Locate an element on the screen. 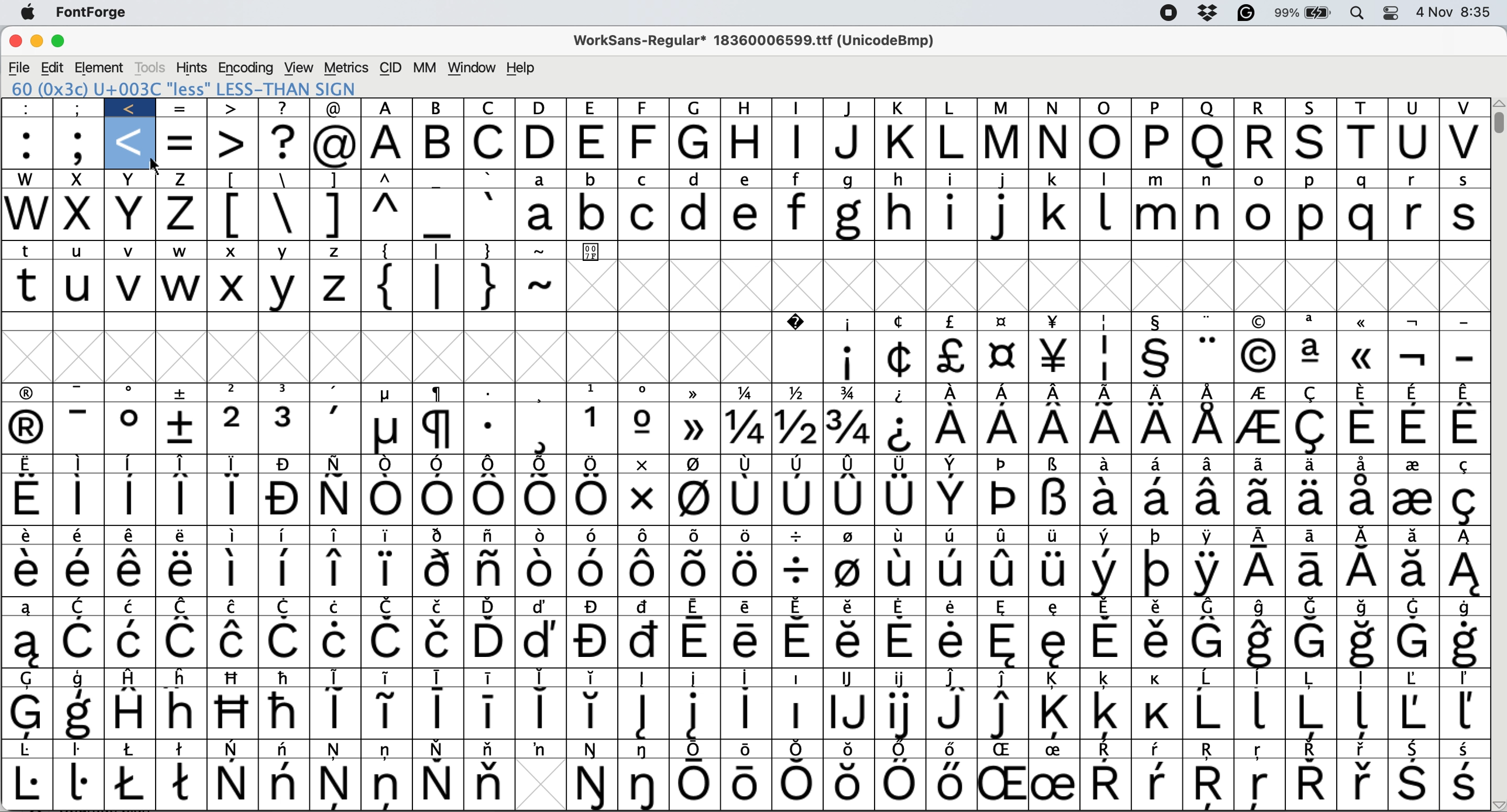  Symbol is located at coordinates (699, 607).